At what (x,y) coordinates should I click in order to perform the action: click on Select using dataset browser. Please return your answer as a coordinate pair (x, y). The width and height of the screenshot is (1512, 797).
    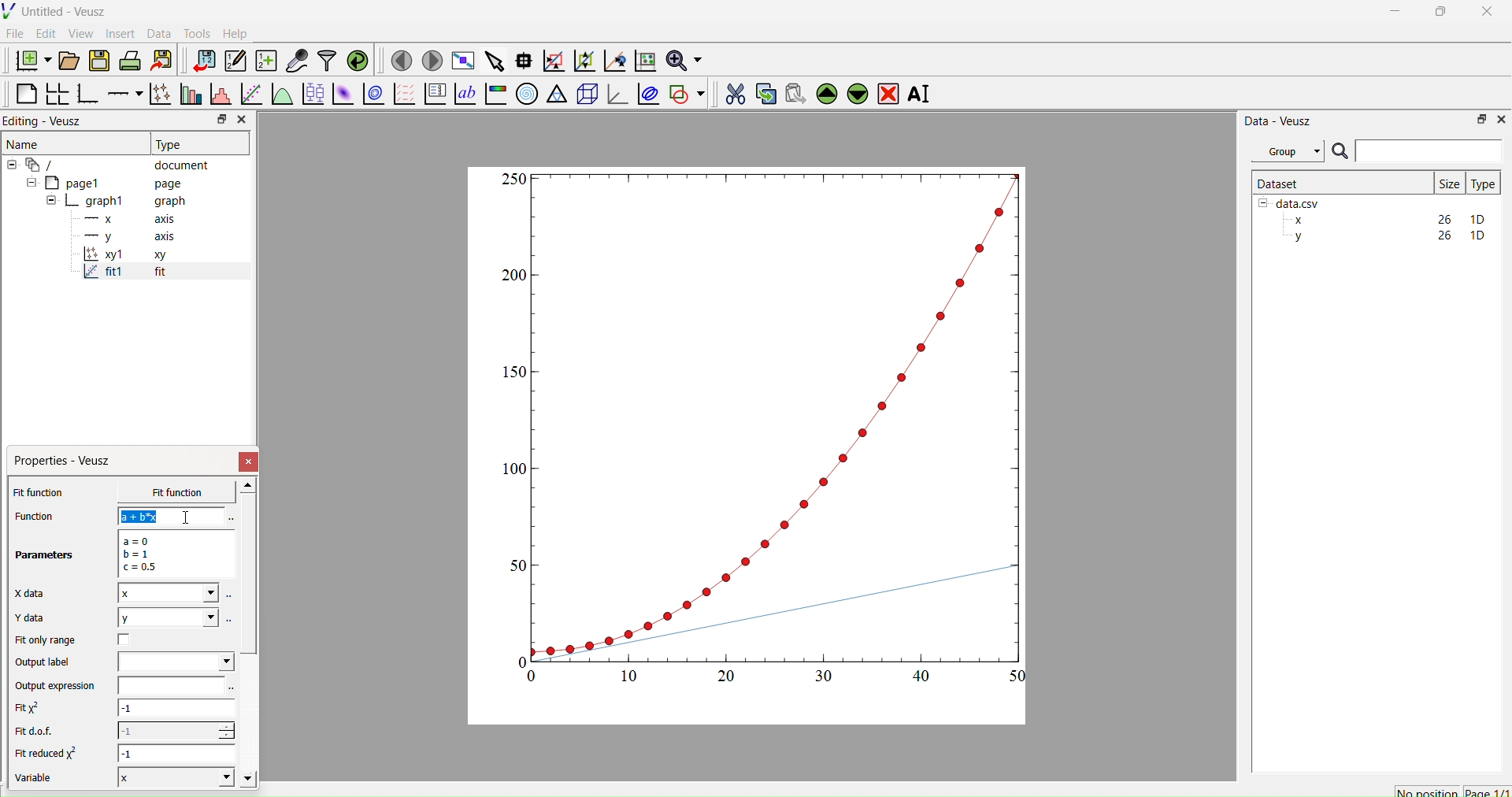
    Looking at the image, I should click on (230, 599).